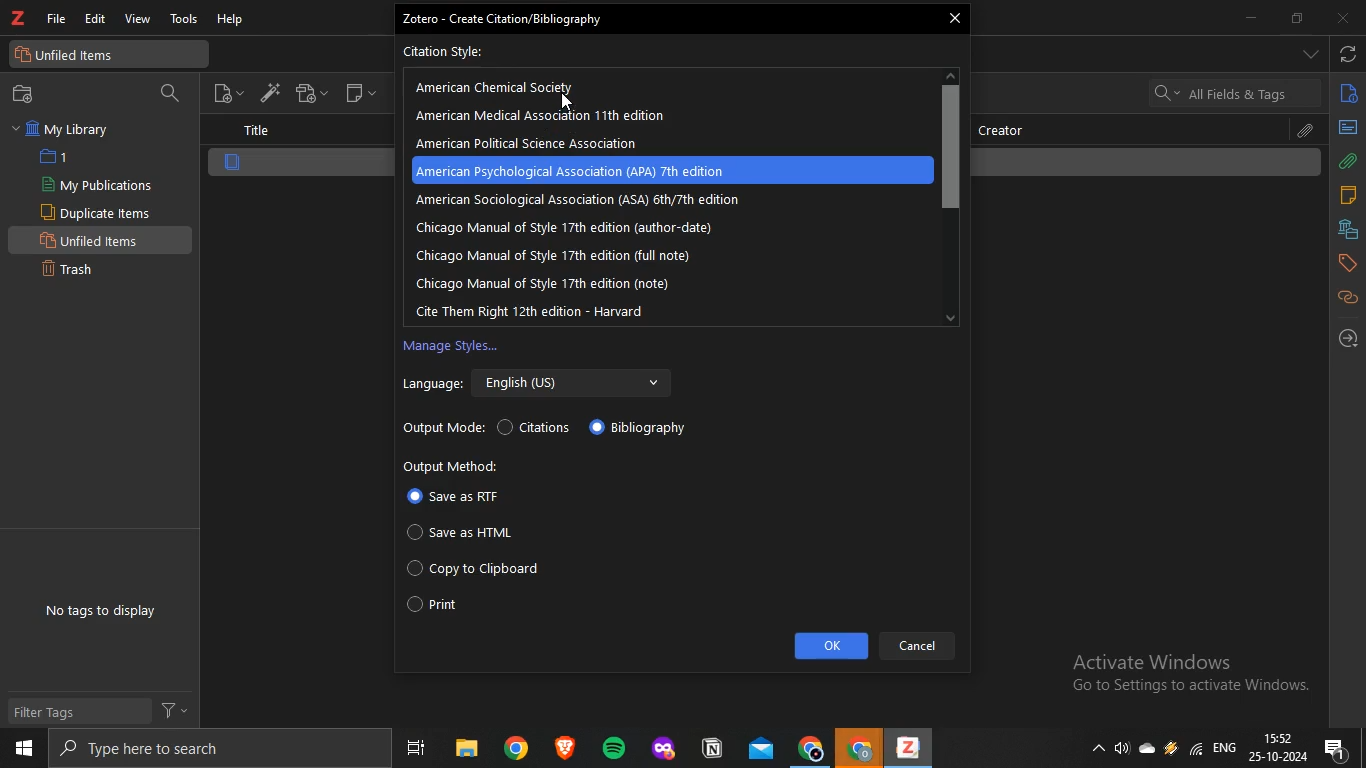 Image resolution: width=1366 pixels, height=768 pixels. What do you see at coordinates (763, 748) in the screenshot?
I see `mail` at bounding box center [763, 748].